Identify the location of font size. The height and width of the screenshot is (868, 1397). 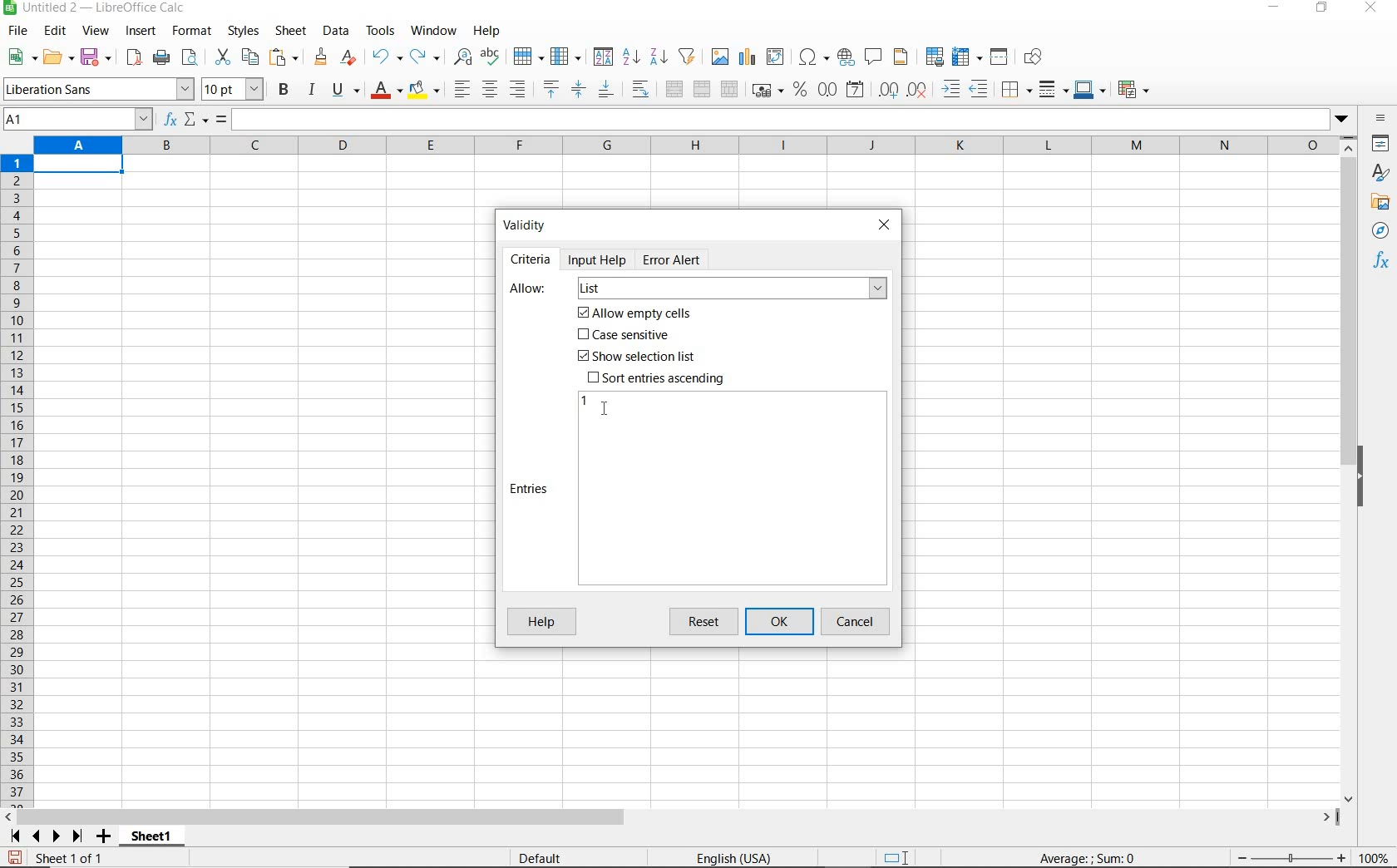
(233, 89).